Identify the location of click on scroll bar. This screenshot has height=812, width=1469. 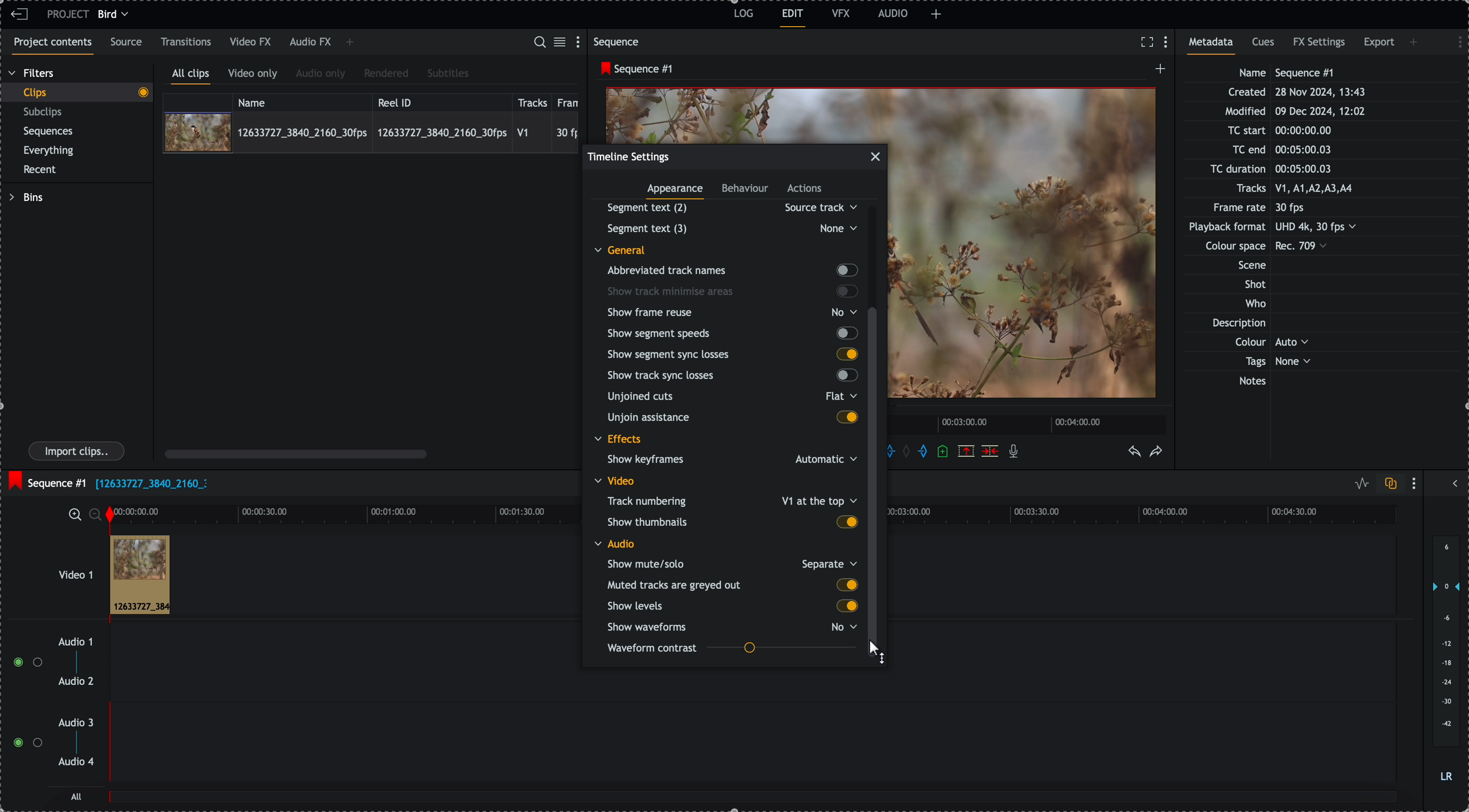
(876, 383).